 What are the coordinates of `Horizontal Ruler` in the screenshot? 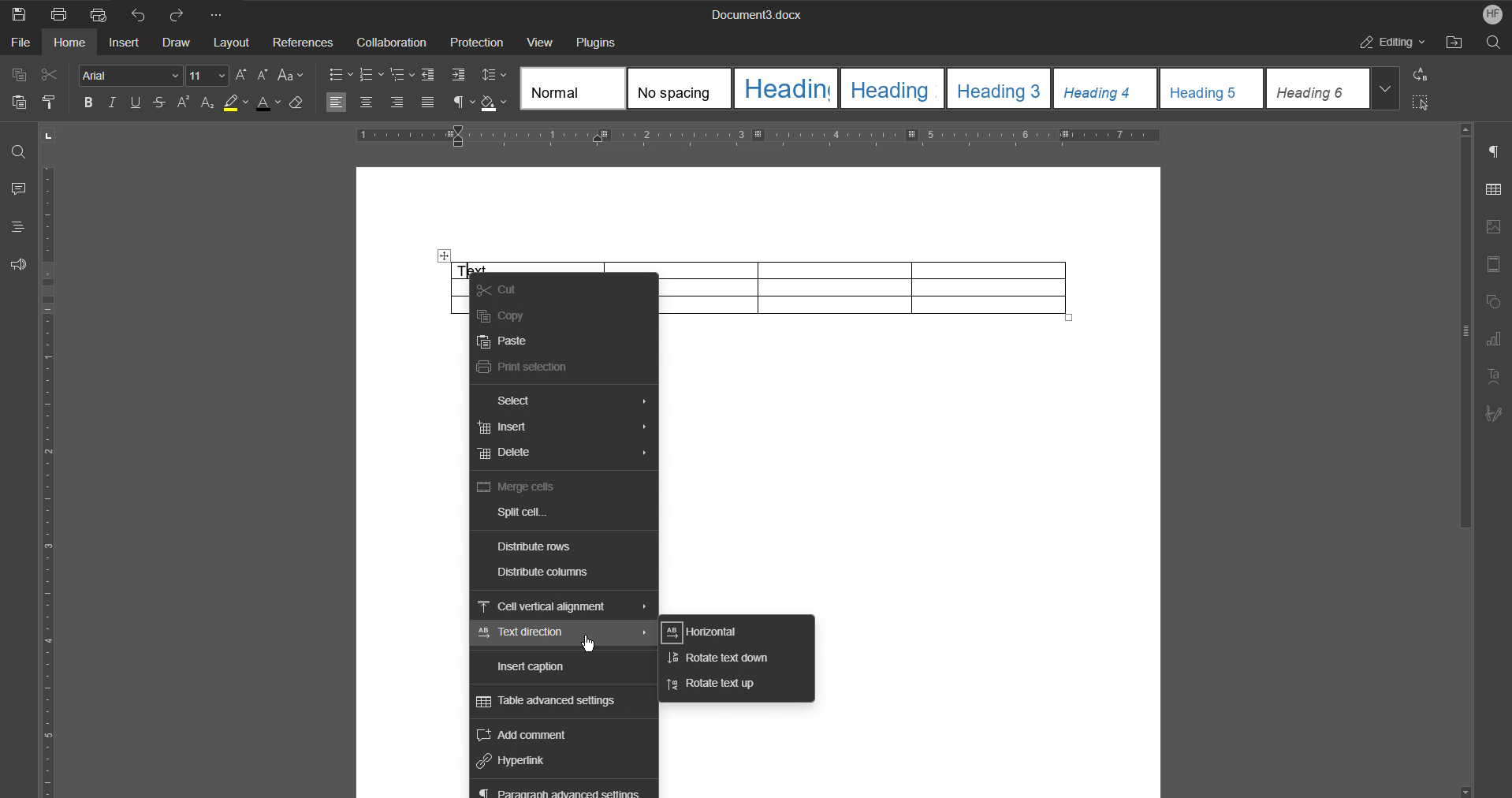 It's located at (758, 138).